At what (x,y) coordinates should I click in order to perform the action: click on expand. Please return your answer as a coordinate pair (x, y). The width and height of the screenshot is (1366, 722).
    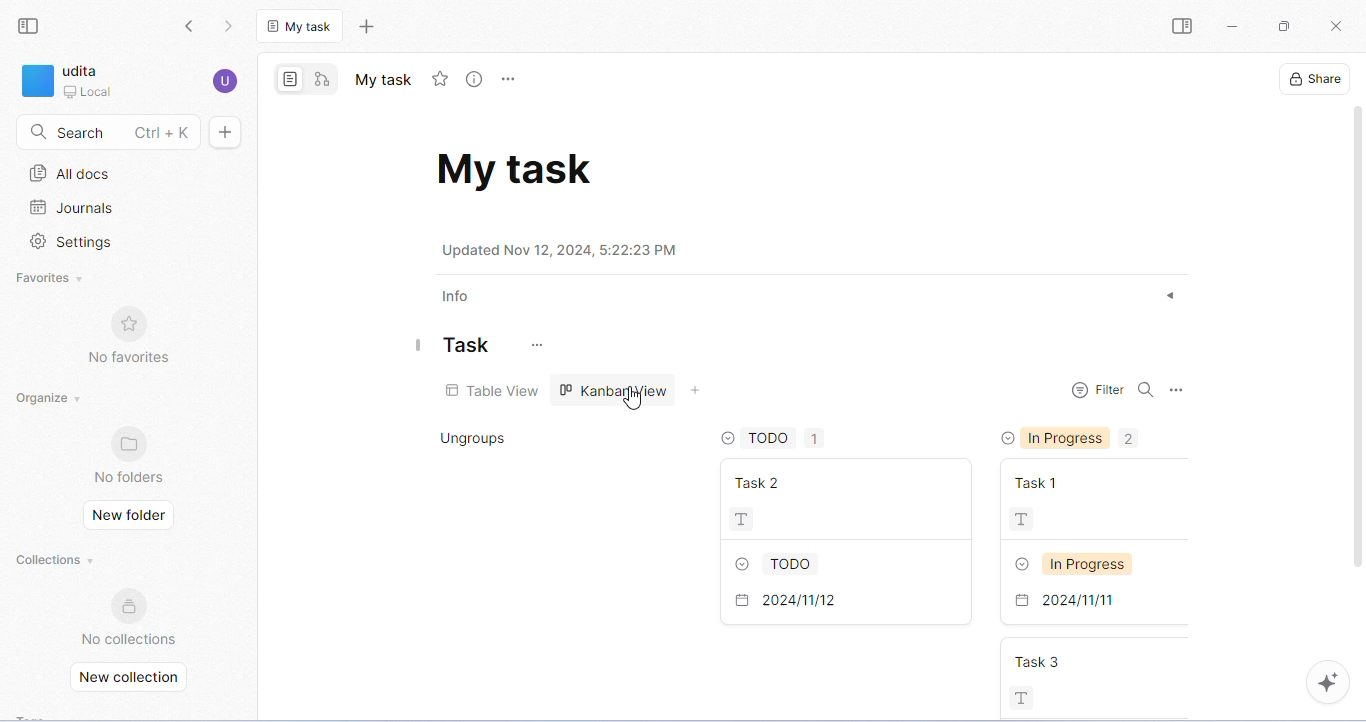
    Looking at the image, I should click on (1170, 297).